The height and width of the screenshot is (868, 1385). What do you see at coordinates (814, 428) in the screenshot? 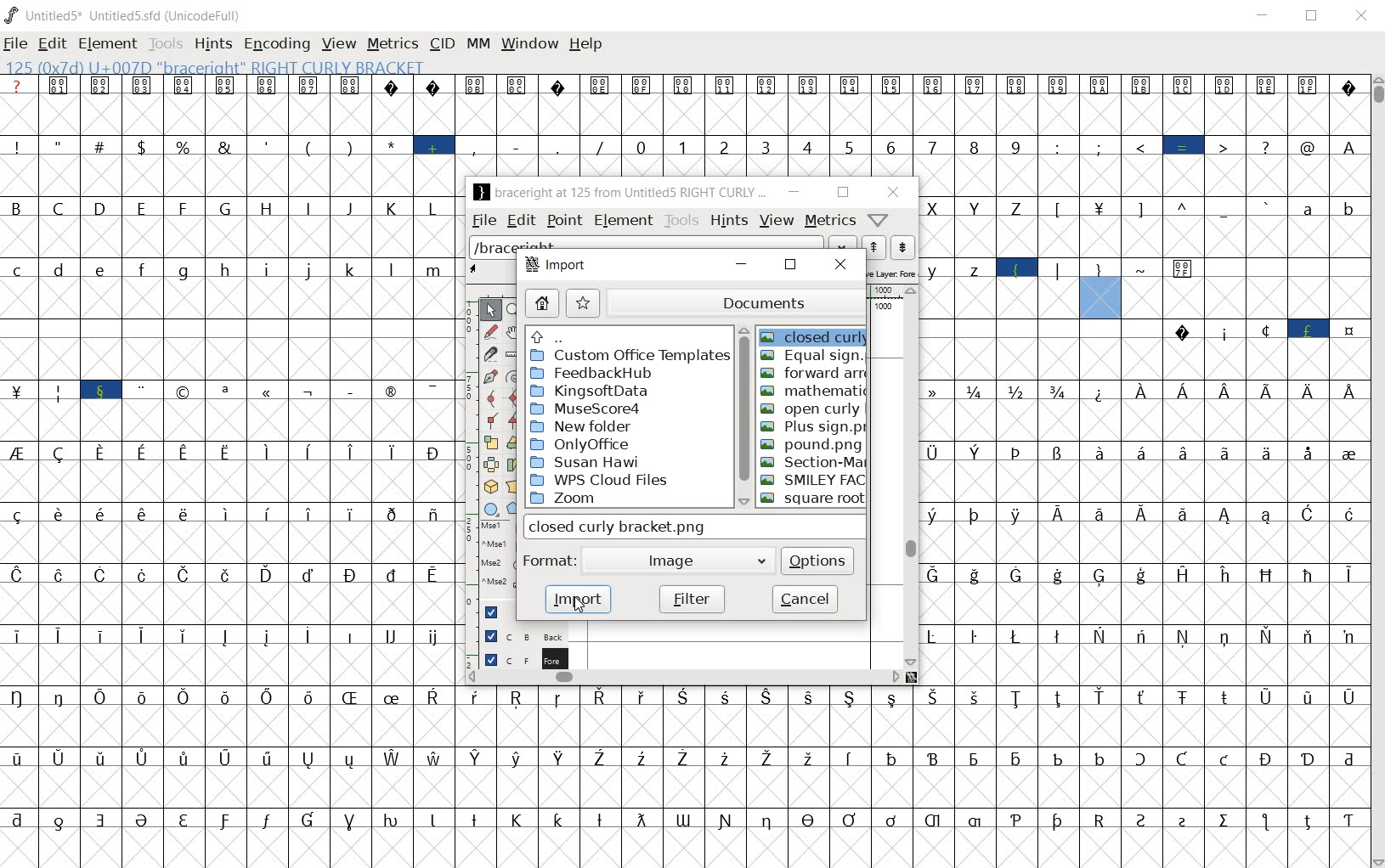
I see `plus sign` at bounding box center [814, 428].